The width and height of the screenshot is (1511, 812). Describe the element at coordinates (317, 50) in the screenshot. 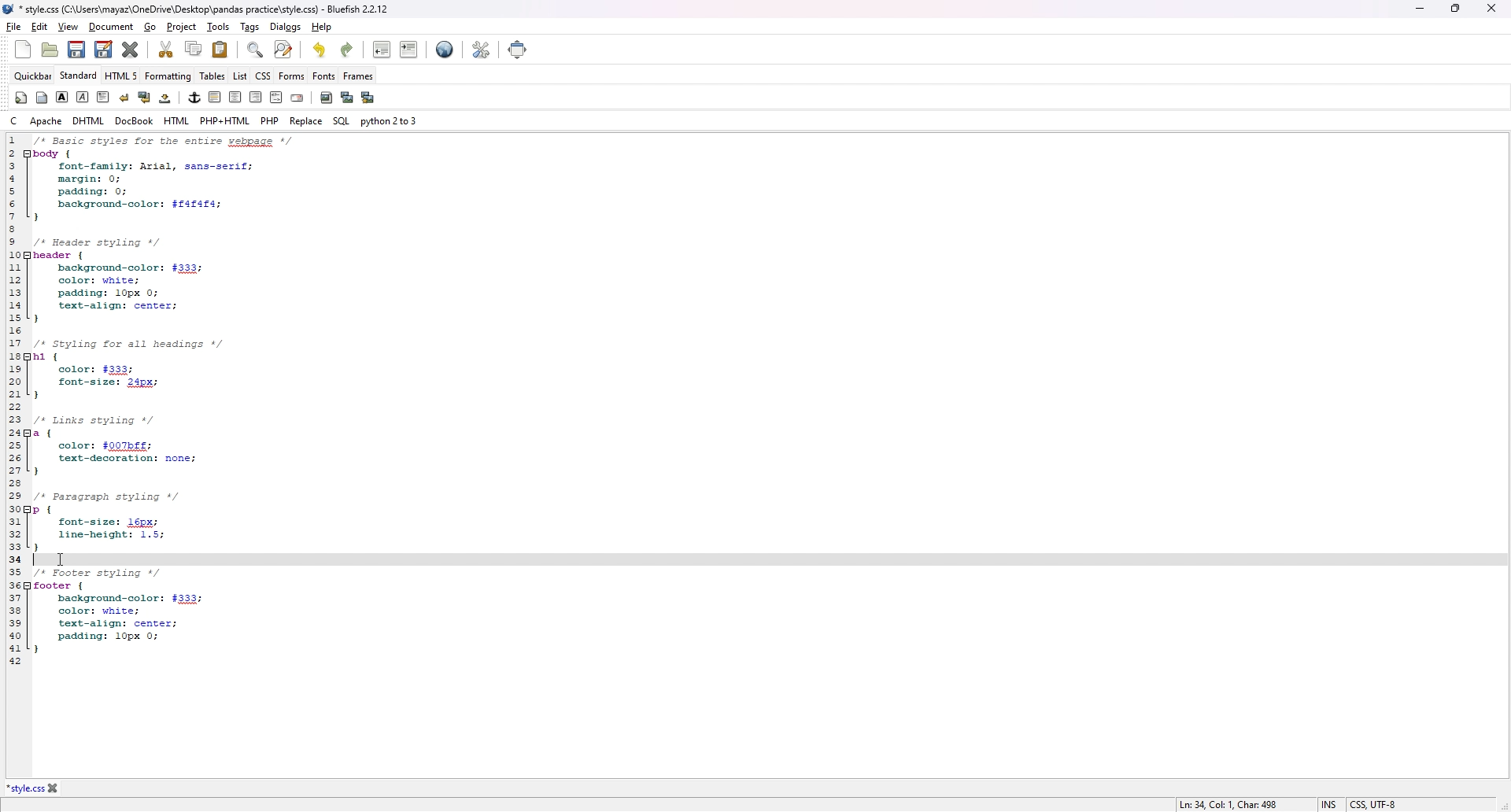

I see `undo` at that location.